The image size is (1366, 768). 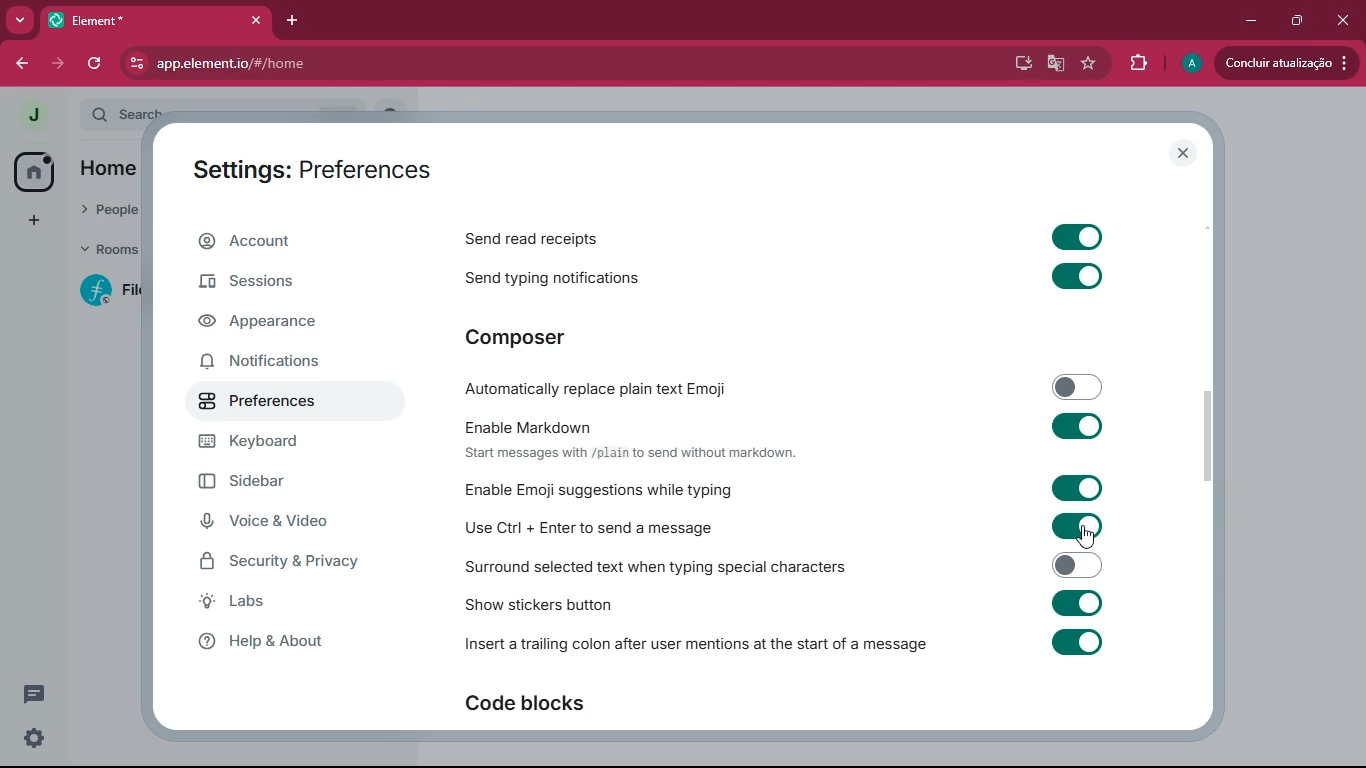 What do you see at coordinates (1071, 488) in the screenshot?
I see `toggle on or off` at bounding box center [1071, 488].